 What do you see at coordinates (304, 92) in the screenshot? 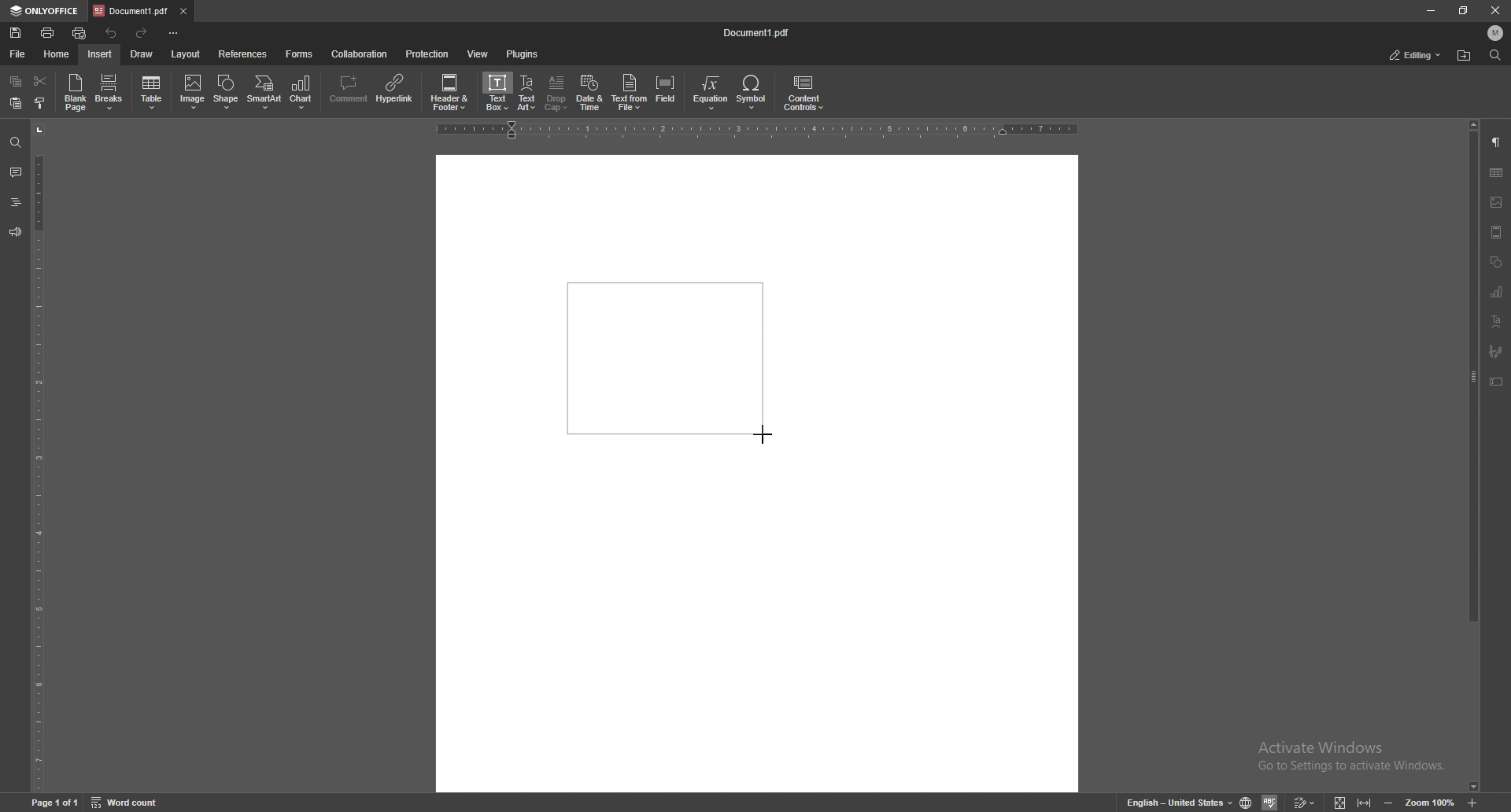
I see `chart` at bounding box center [304, 92].